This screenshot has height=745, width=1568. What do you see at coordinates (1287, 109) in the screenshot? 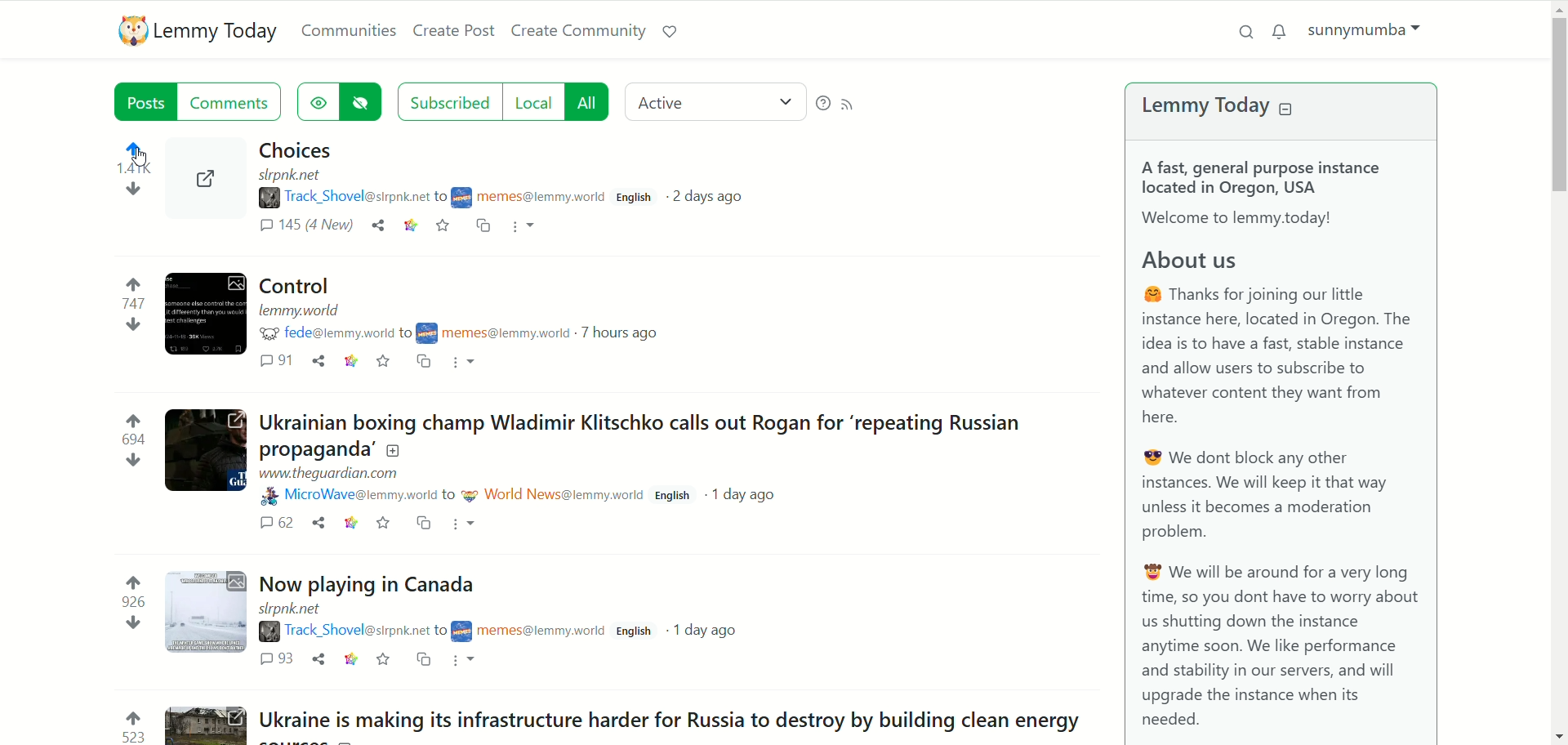
I see `collapse` at bounding box center [1287, 109].